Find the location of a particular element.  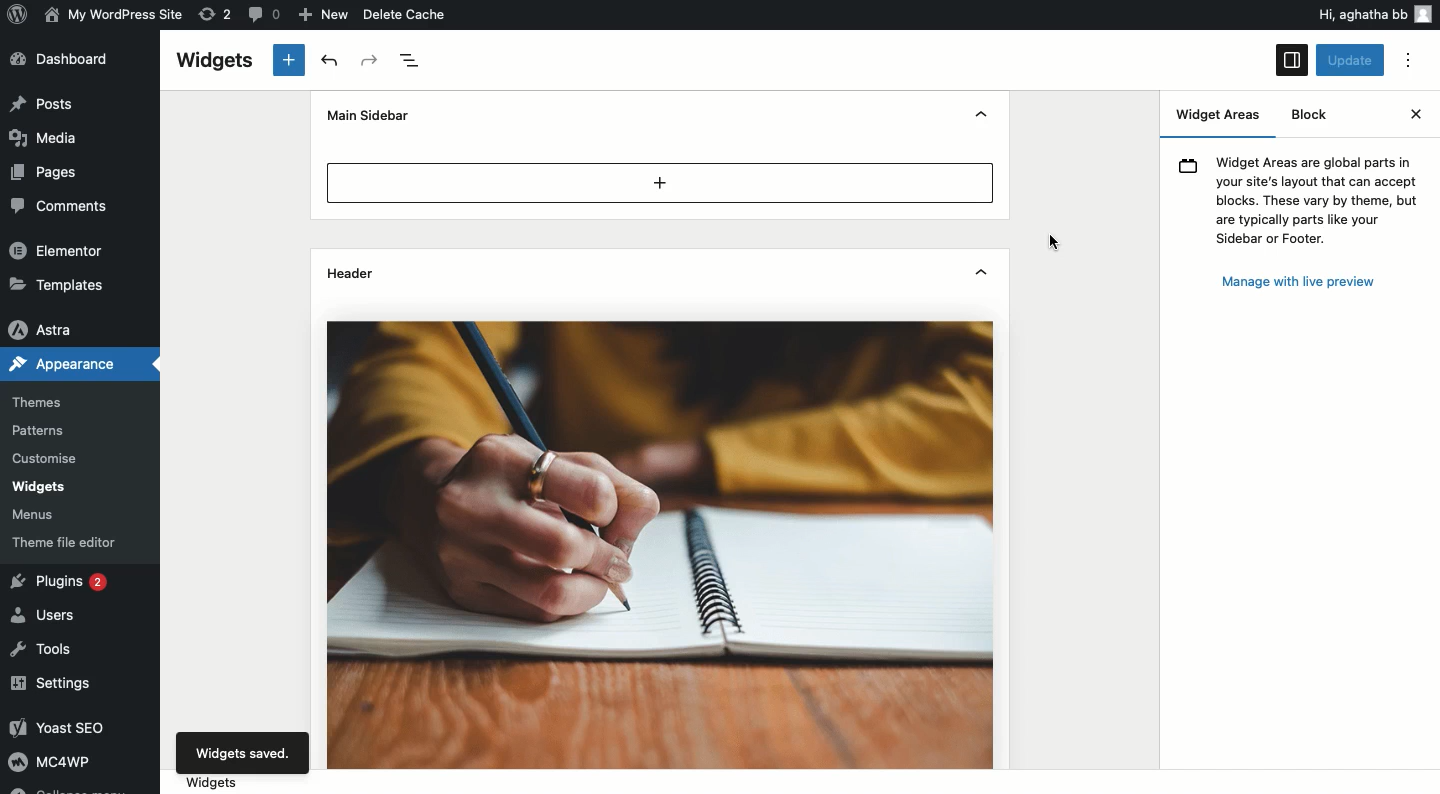

Add is located at coordinates (661, 182).